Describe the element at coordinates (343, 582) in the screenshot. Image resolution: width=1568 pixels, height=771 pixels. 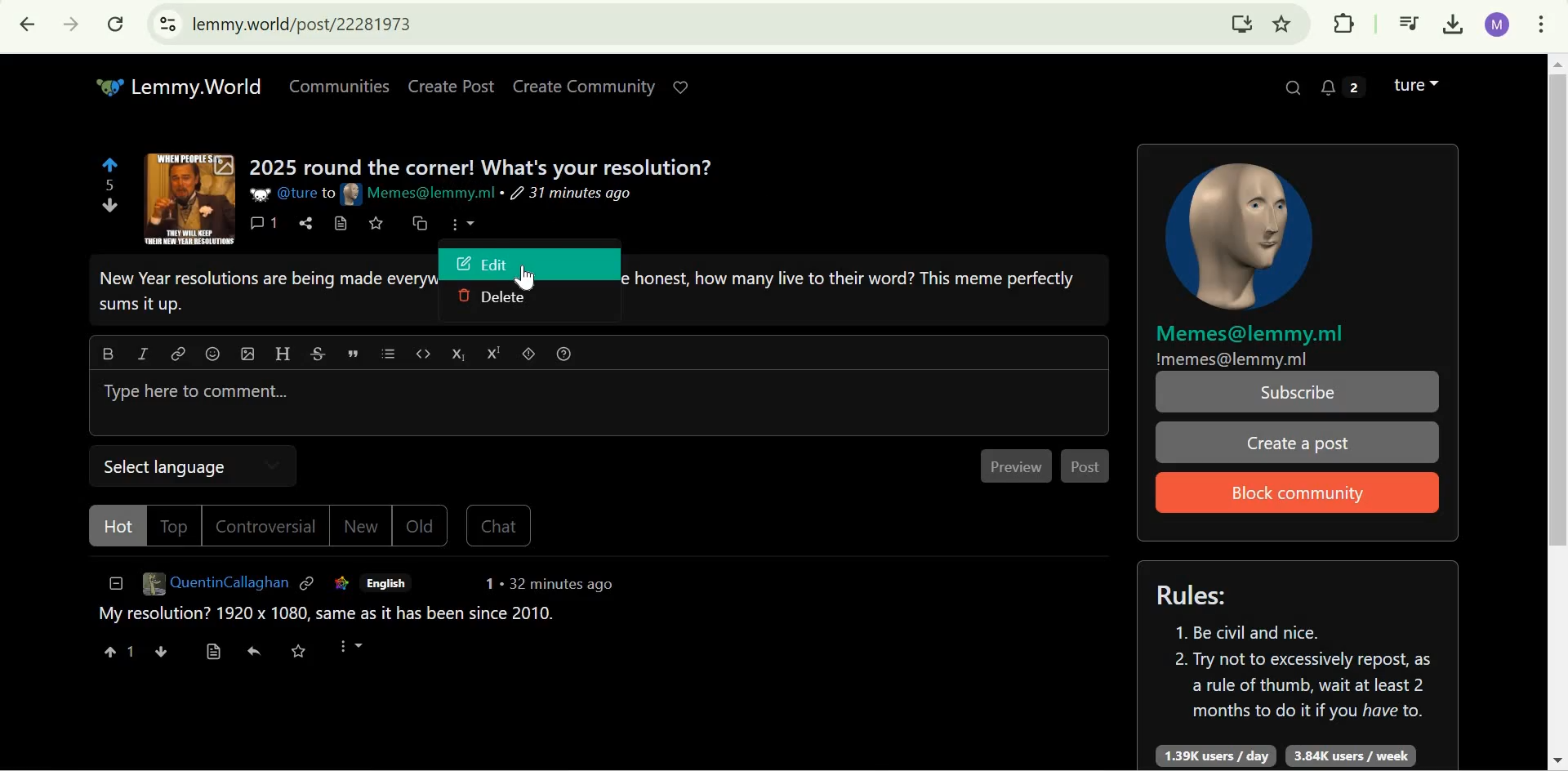
I see `link` at that location.